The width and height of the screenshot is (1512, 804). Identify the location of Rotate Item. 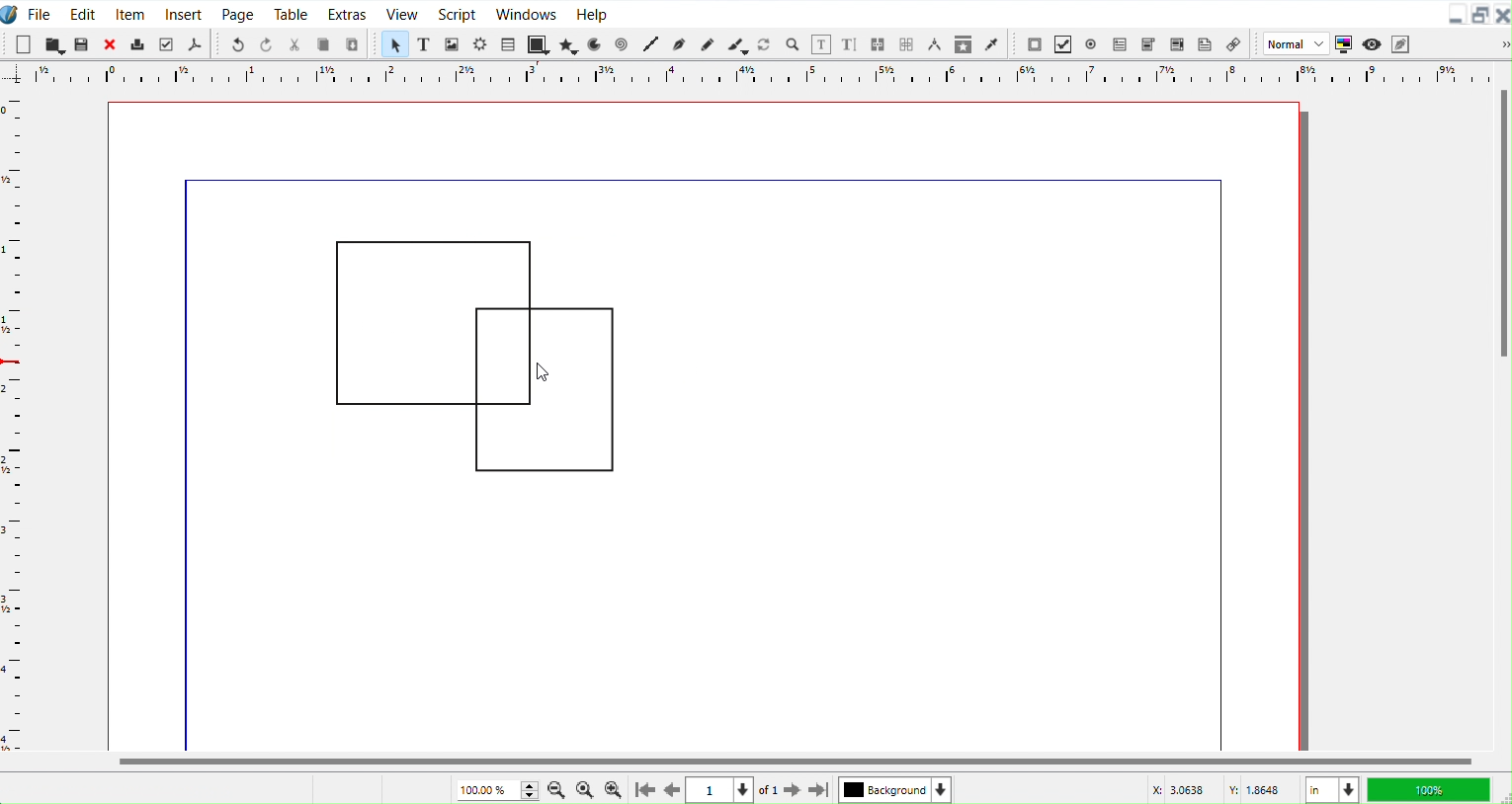
(765, 44).